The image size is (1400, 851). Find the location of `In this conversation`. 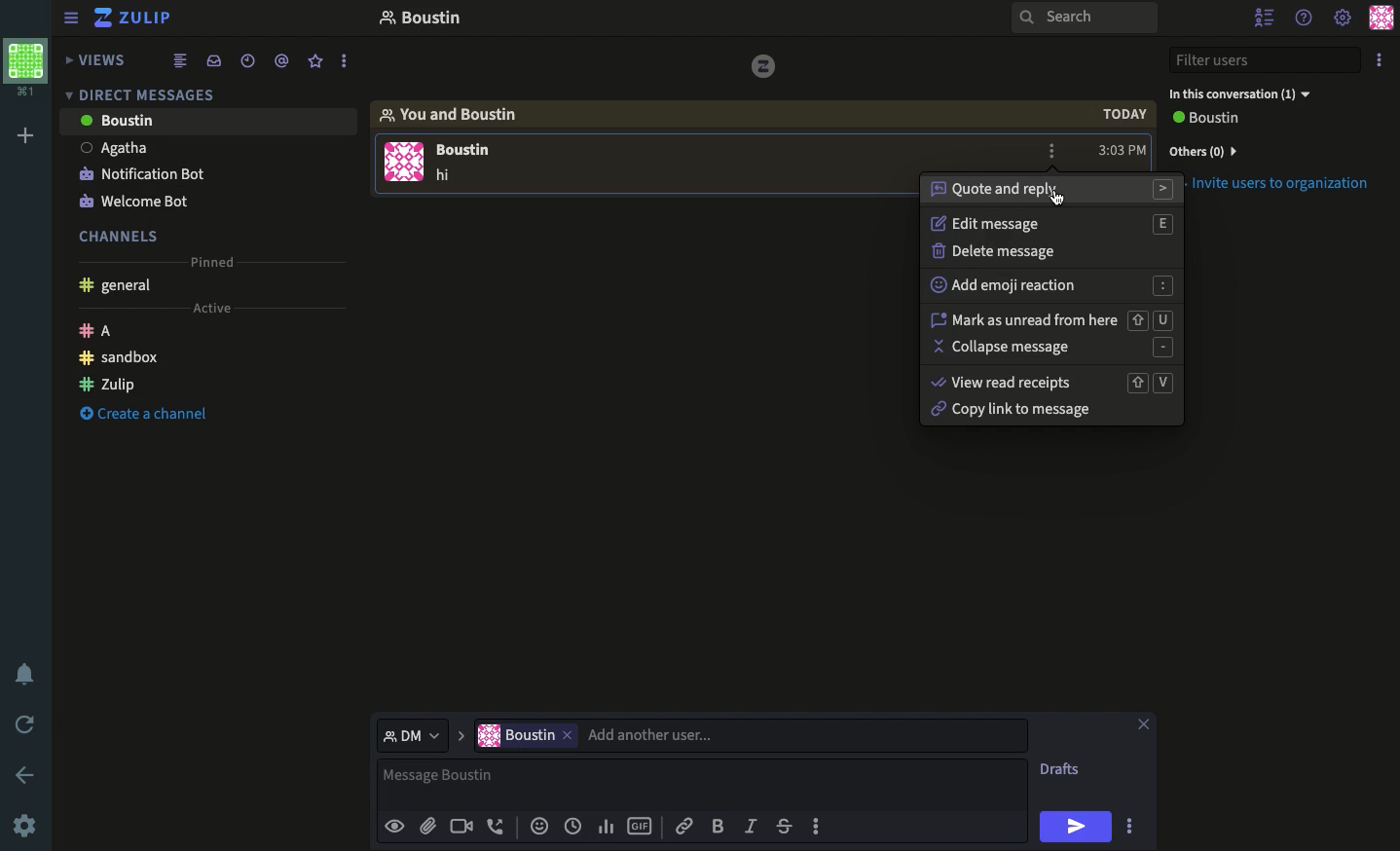

In this conversation is located at coordinates (1254, 92).